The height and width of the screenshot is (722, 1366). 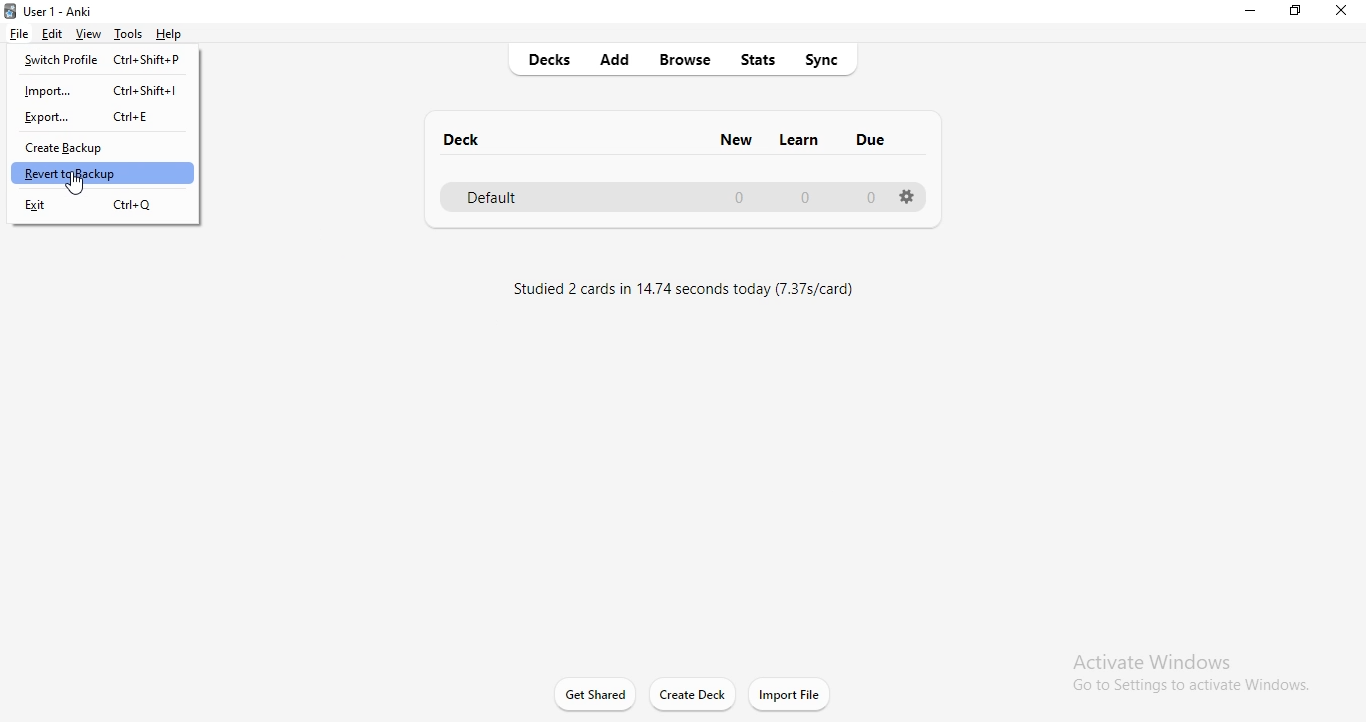 What do you see at coordinates (829, 59) in the screenshot?
I see `sync` at bounding box center [829, 59].